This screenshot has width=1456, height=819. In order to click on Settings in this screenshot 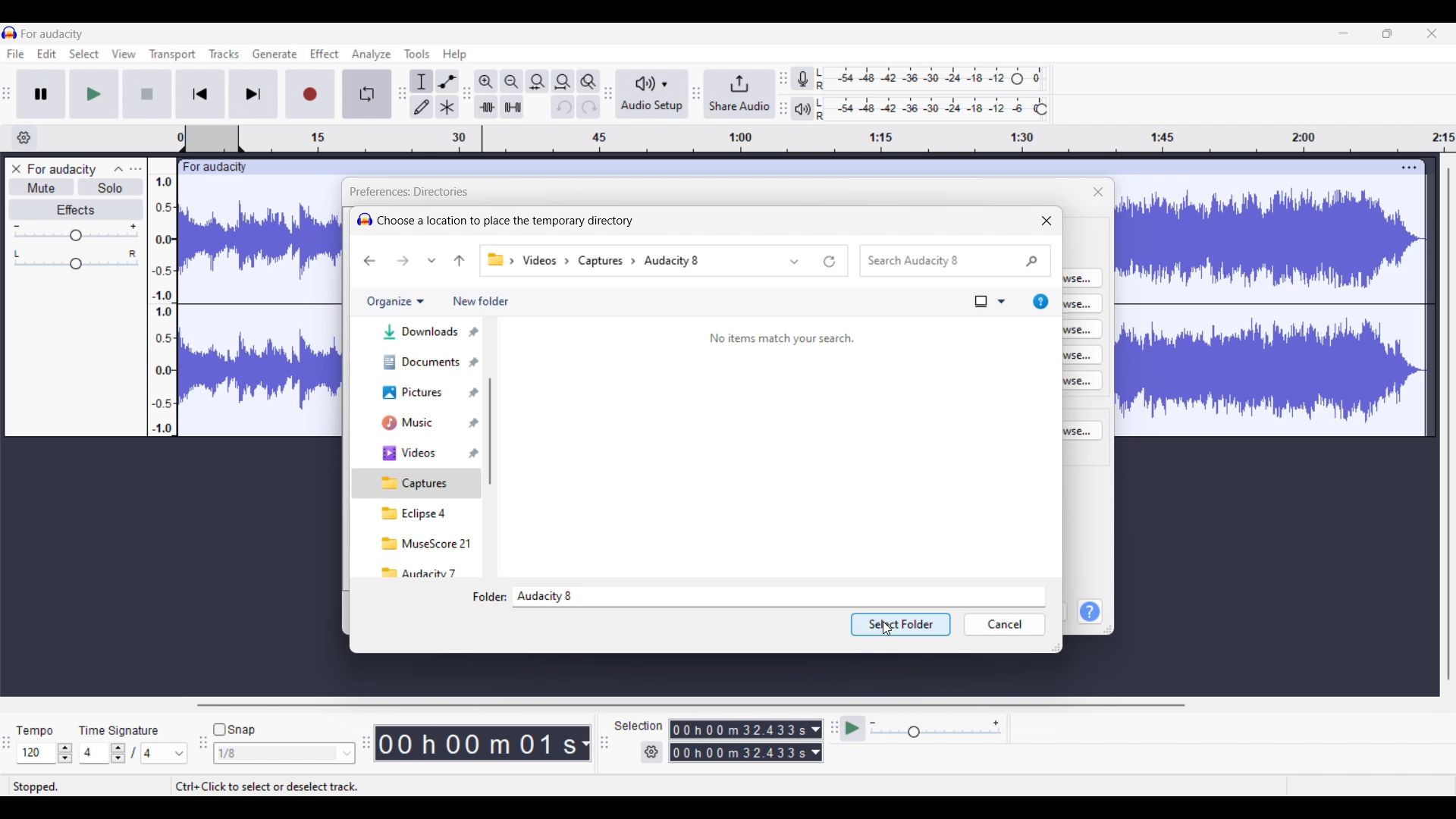, I will do `click(652, 752)`.